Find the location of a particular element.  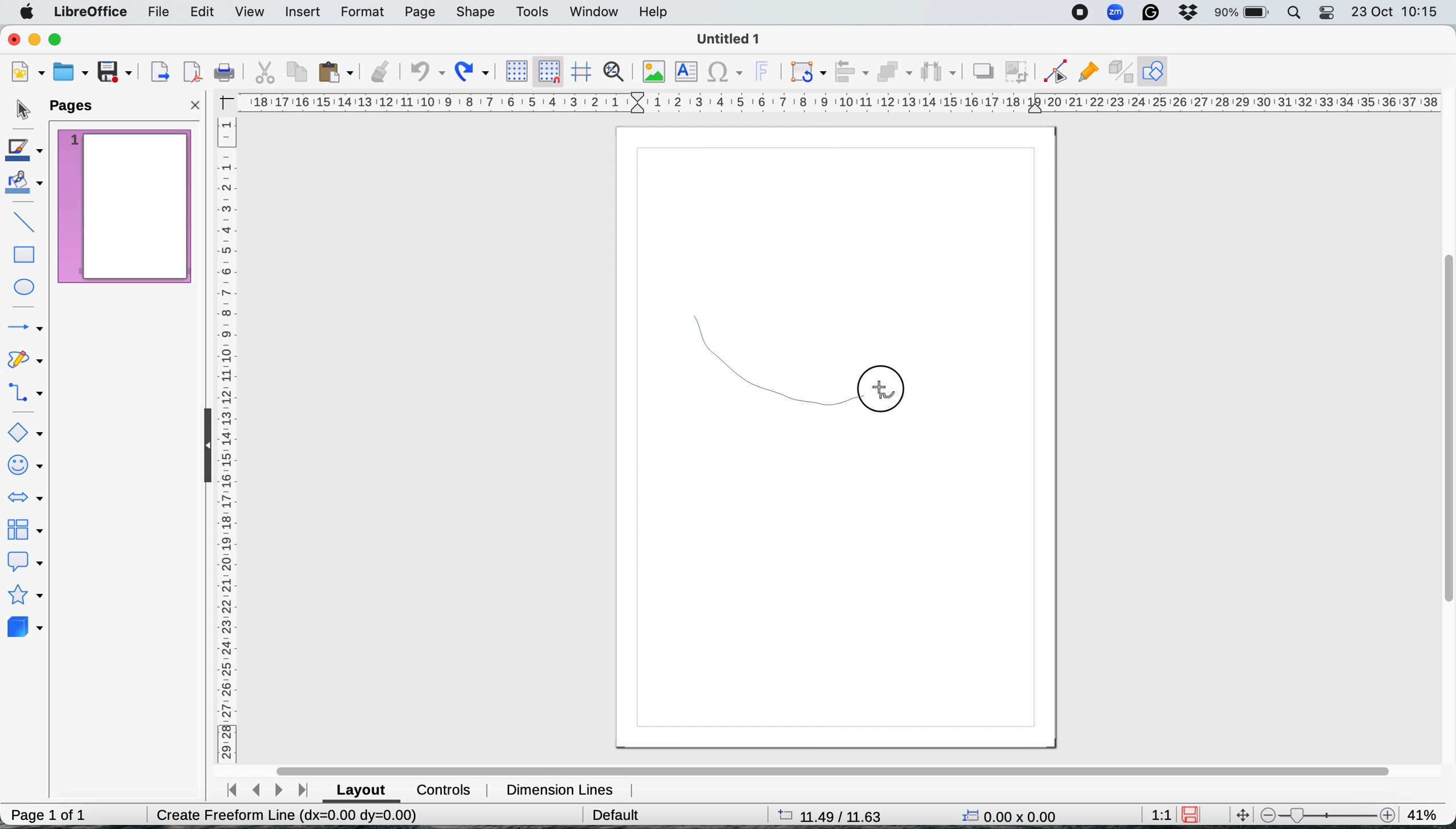

battery is located at coordinates (1242, 14).